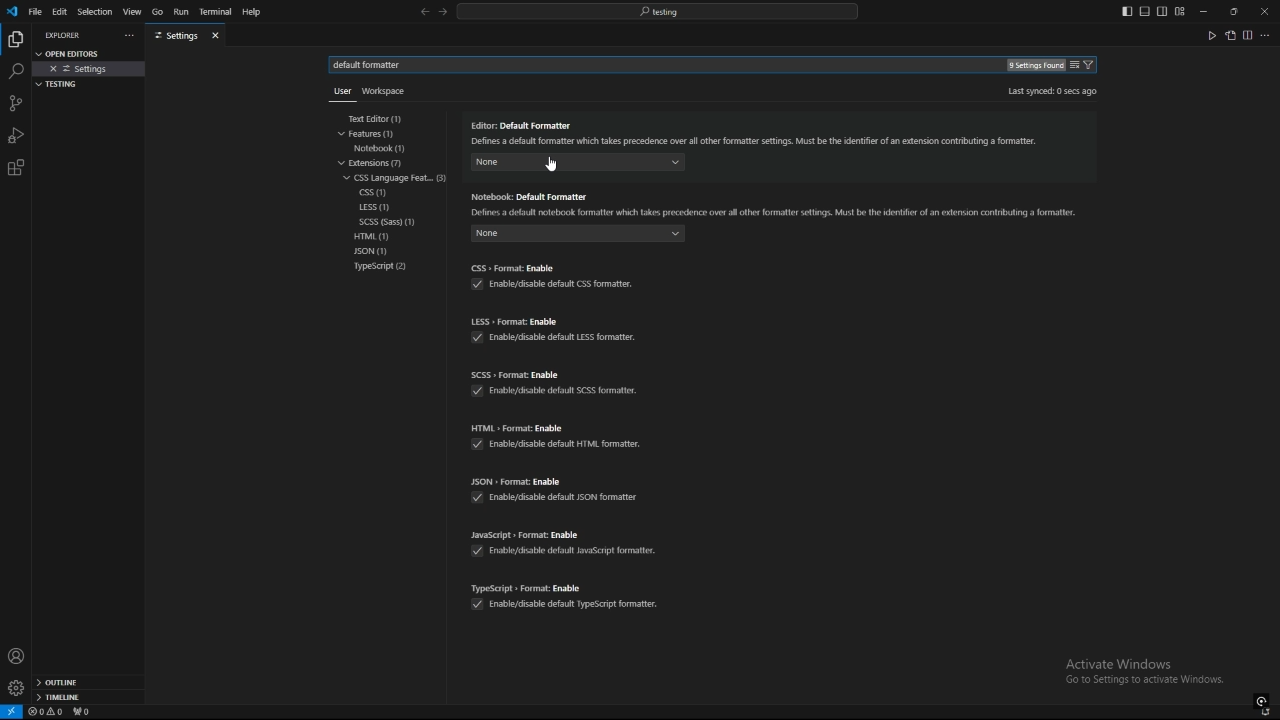  What do you see at coordinates (1204, 12) in the screenshot?
I see `minimize` at bounding box center [1204, 12].